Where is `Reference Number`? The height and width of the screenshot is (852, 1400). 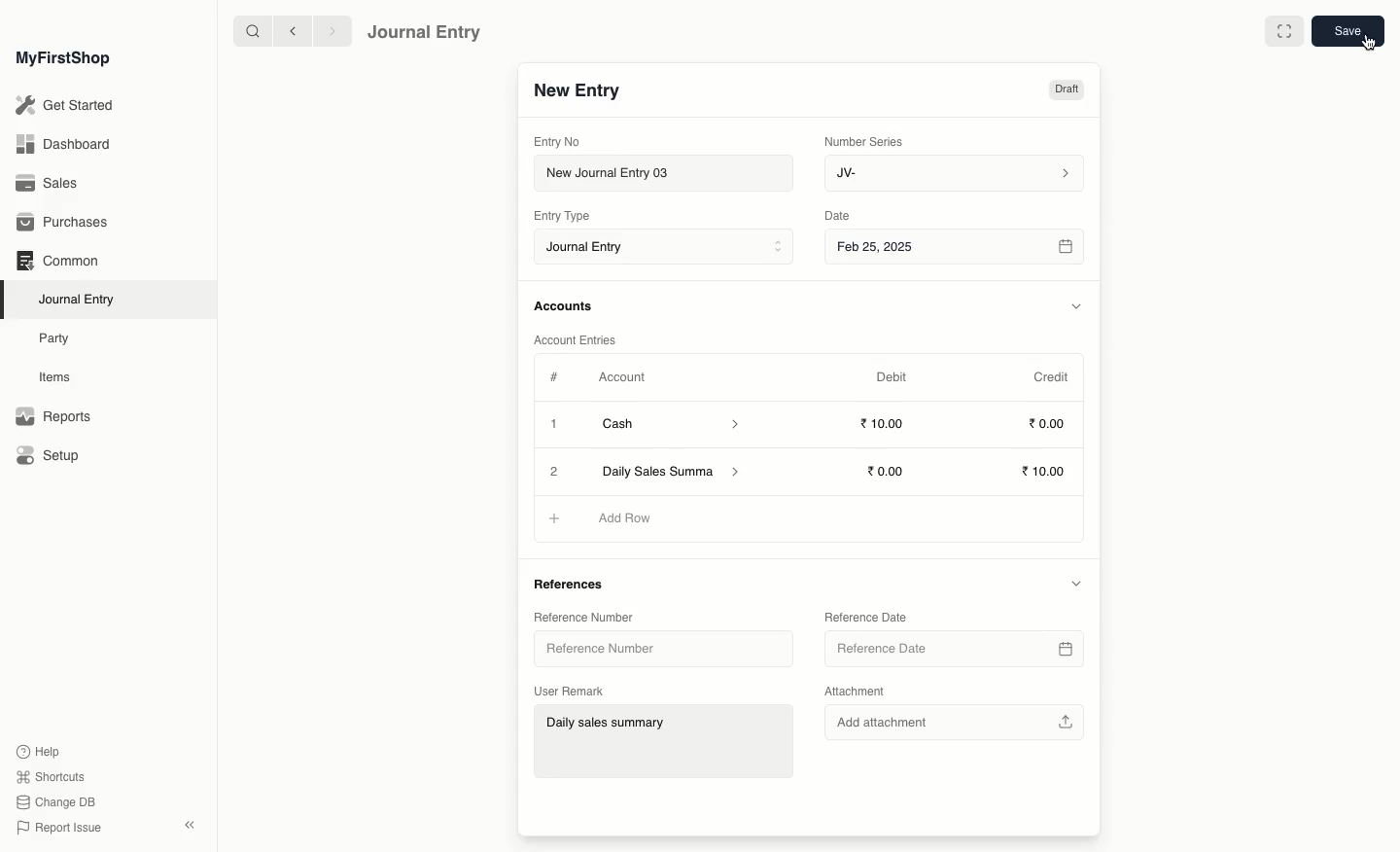 Reference Number is located at coordinates (581, 616).